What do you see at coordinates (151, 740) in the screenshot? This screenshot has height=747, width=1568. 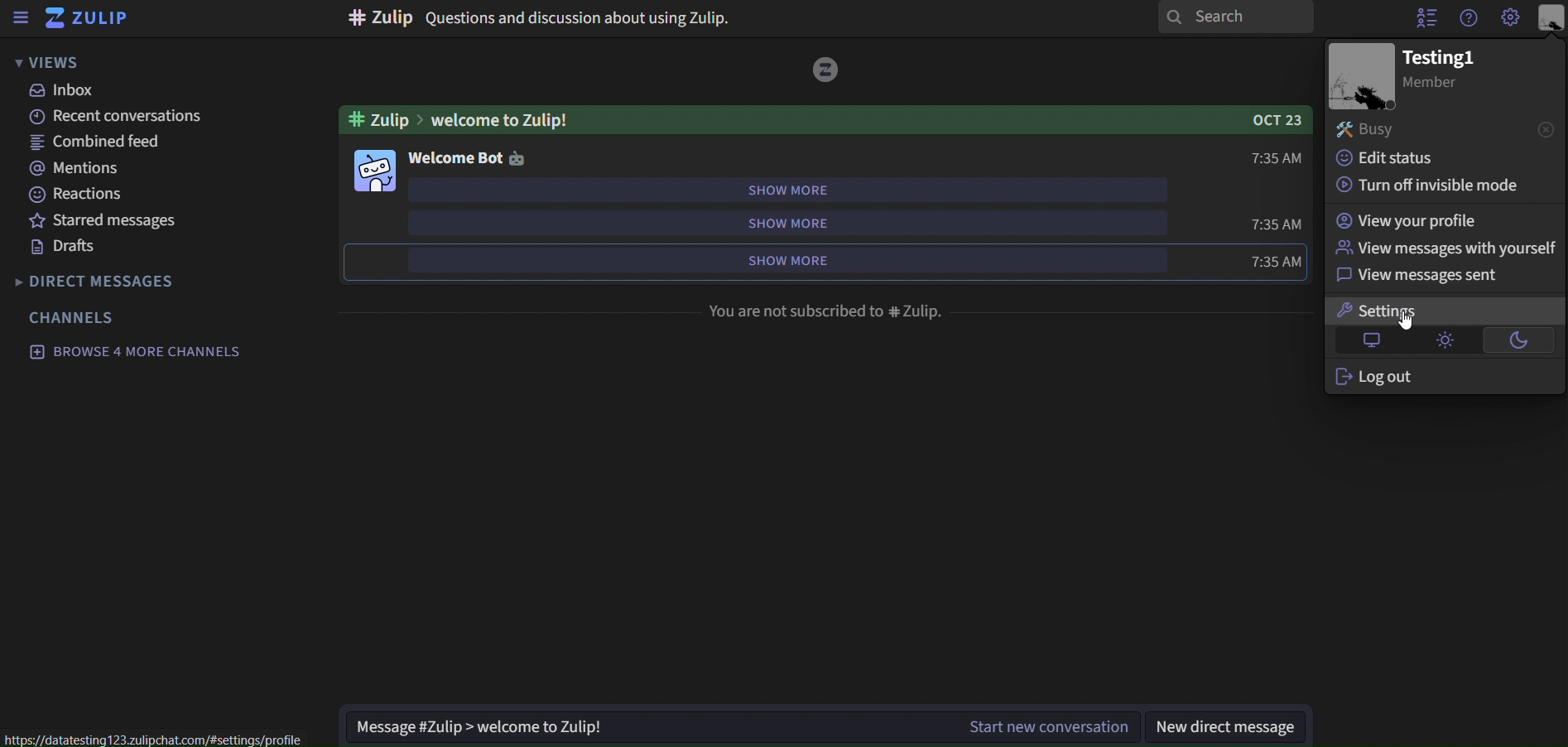 I see `htpps://datatesting123.zulipchat.com/#settings/profile` at bounding box center [151, 740].